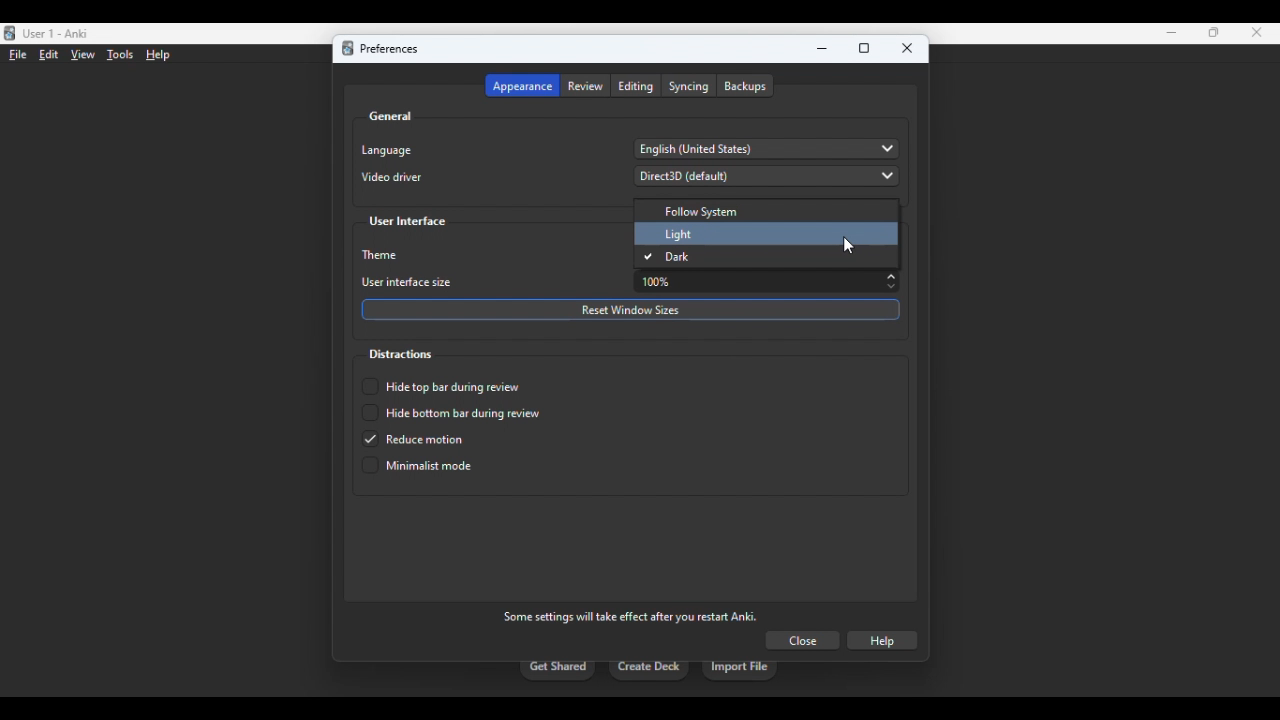 The image size is (1280, 720). Describe the element at coordinates (668, 257) in the screenshot. I see `dark` at that location.